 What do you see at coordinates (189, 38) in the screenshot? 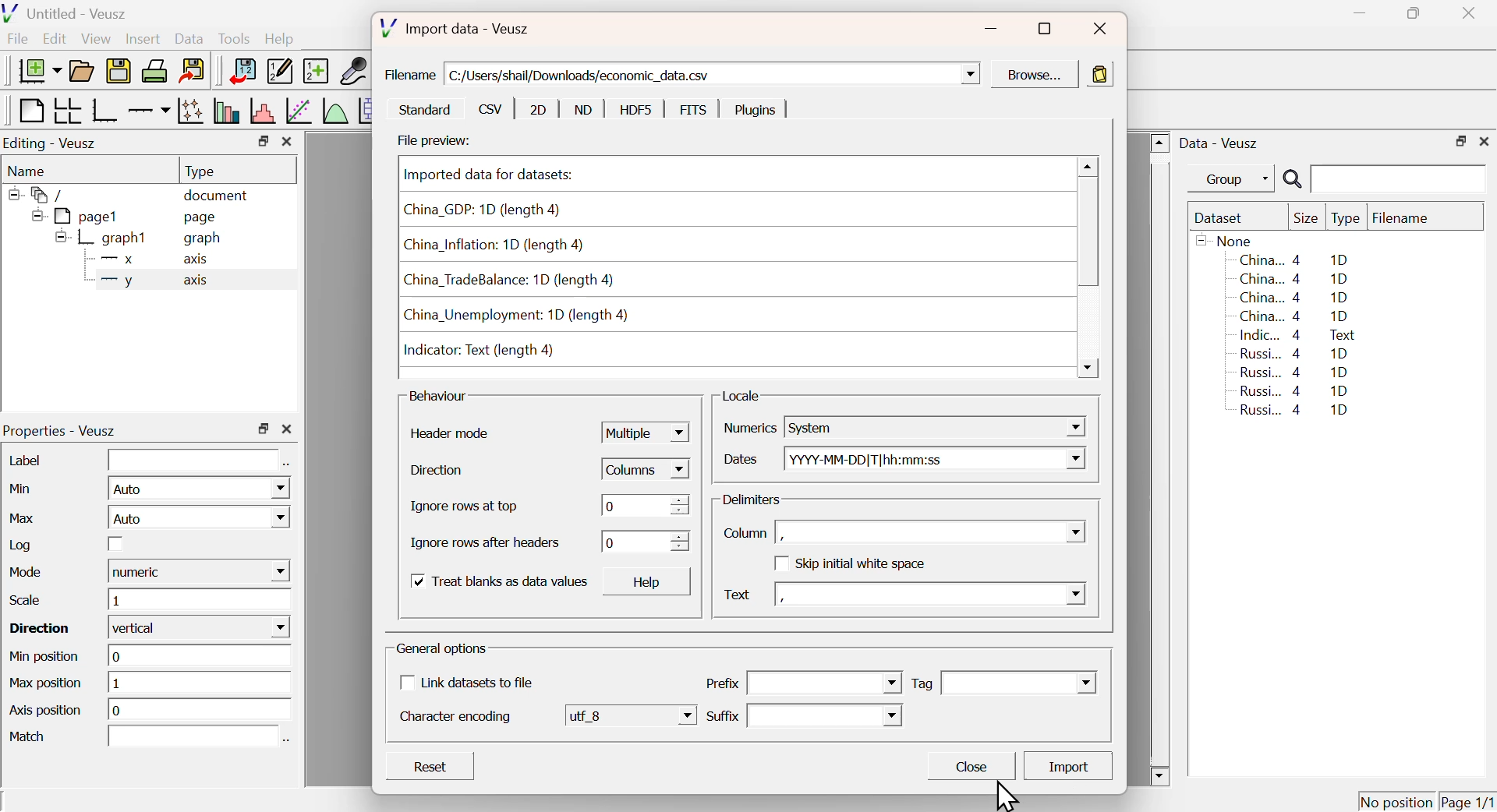
I see `Data` at bounding box center [189, 38].